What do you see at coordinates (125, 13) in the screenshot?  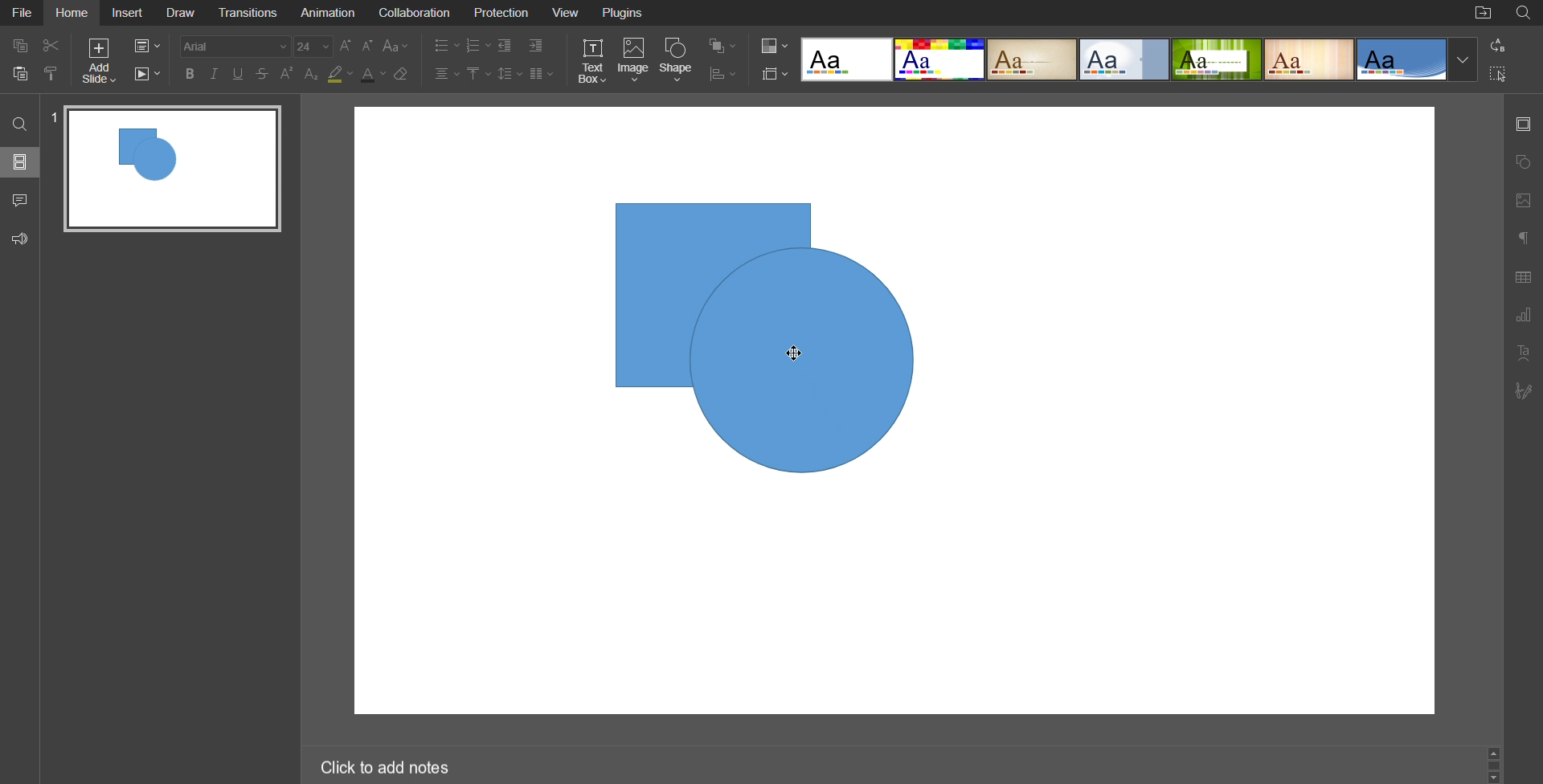 I see `Insert` at bounding box center [125, 13].